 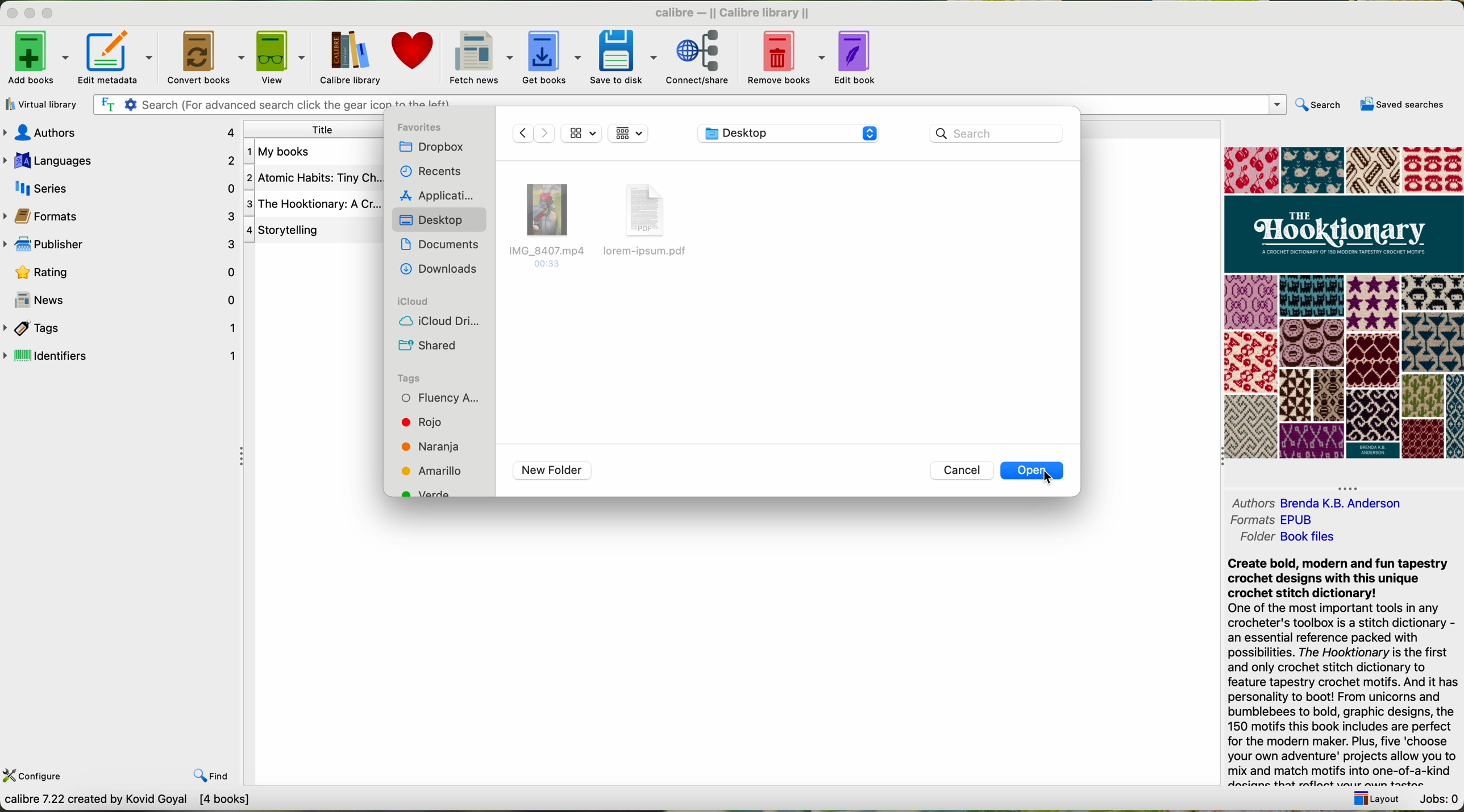 What do you see at coordinates (38, 58) in the screenshot?
I see `add books` at bounding box center [38, 58].